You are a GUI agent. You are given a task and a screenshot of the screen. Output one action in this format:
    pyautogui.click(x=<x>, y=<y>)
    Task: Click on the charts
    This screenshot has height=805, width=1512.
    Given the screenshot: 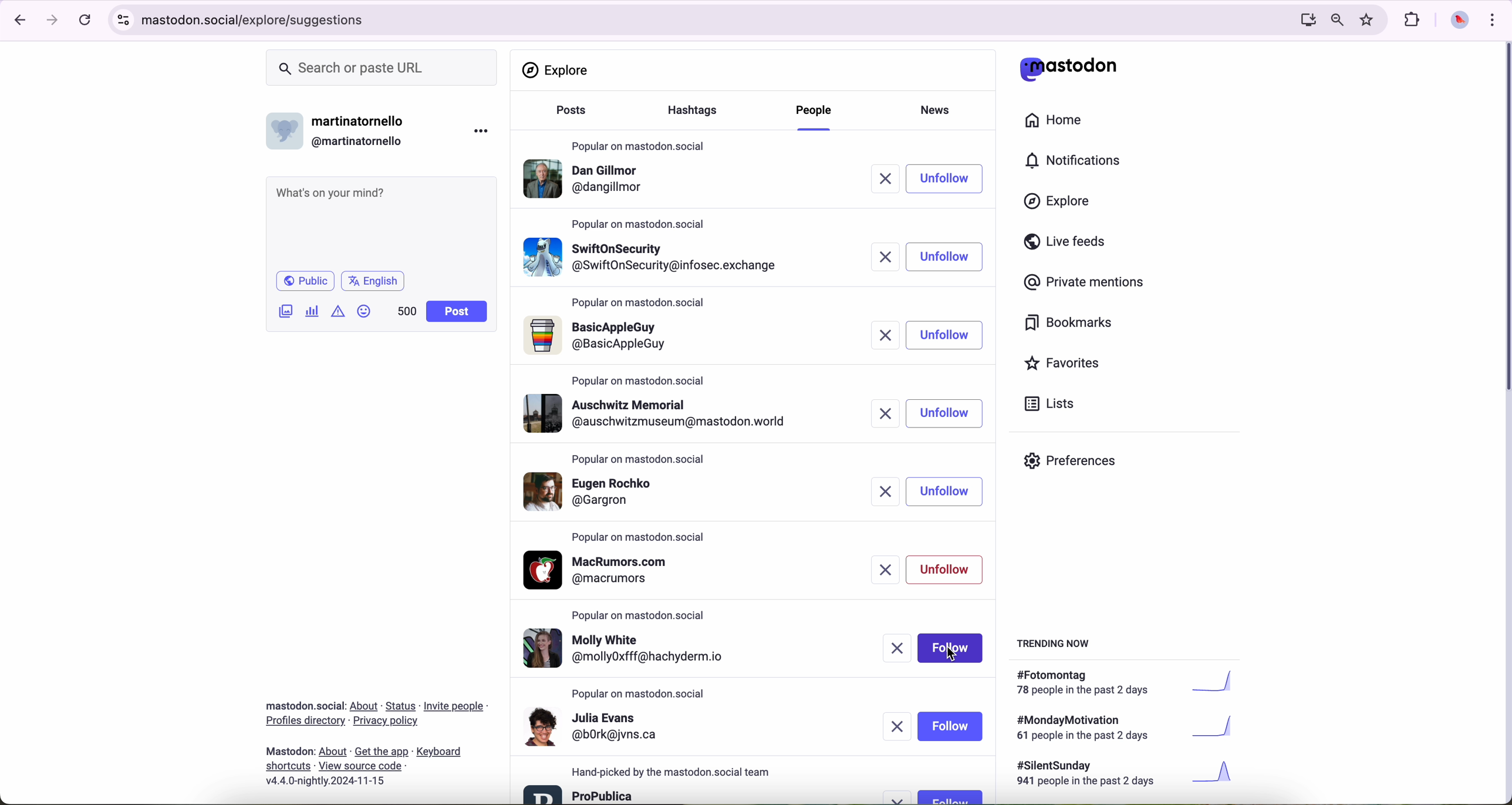 What is the action you would take?
    pyautogui.click(x=315, y=311)
    